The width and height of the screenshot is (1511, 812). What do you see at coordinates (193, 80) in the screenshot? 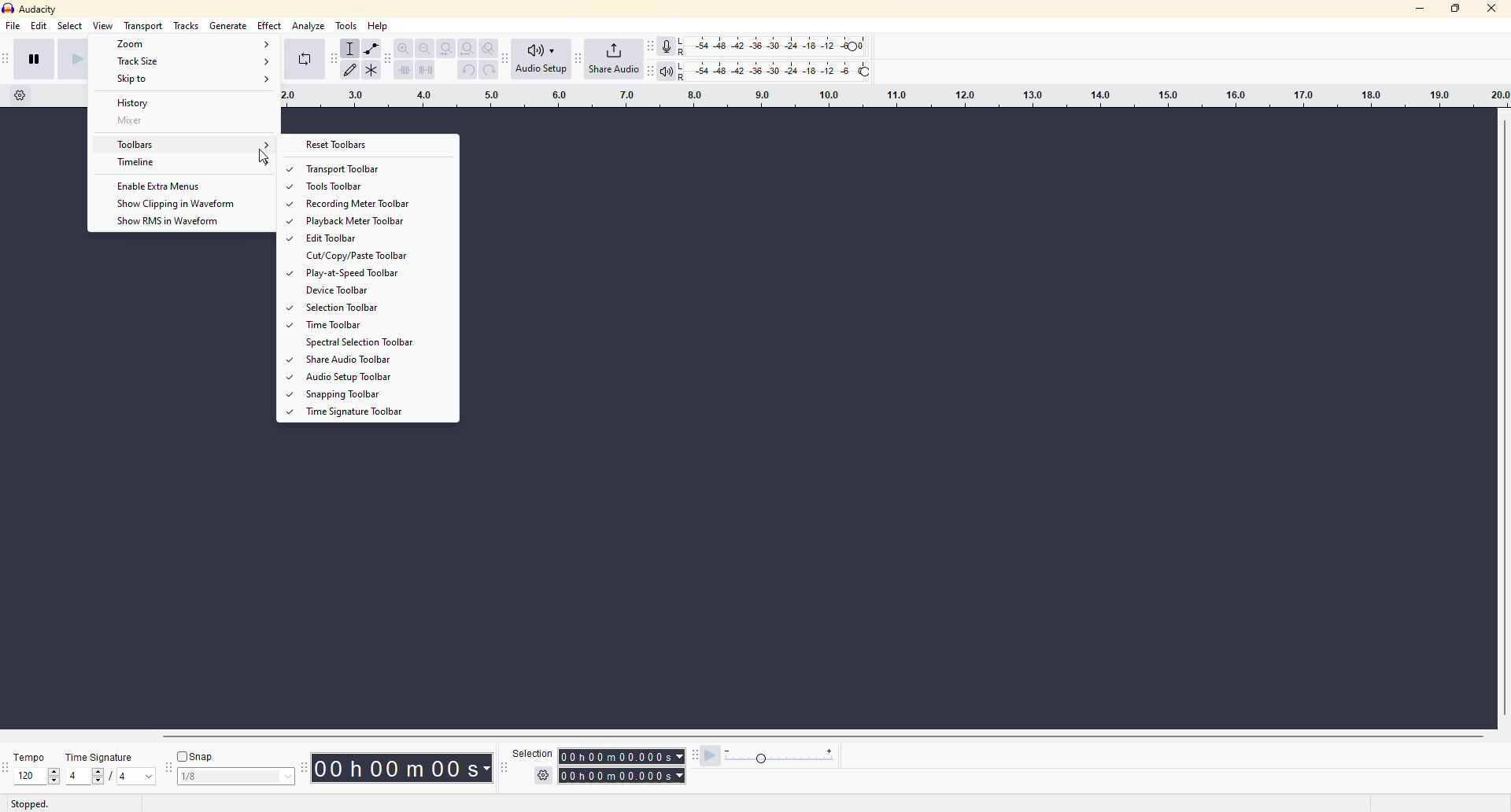
I see `Skip to` at bounding box center [193, 80].